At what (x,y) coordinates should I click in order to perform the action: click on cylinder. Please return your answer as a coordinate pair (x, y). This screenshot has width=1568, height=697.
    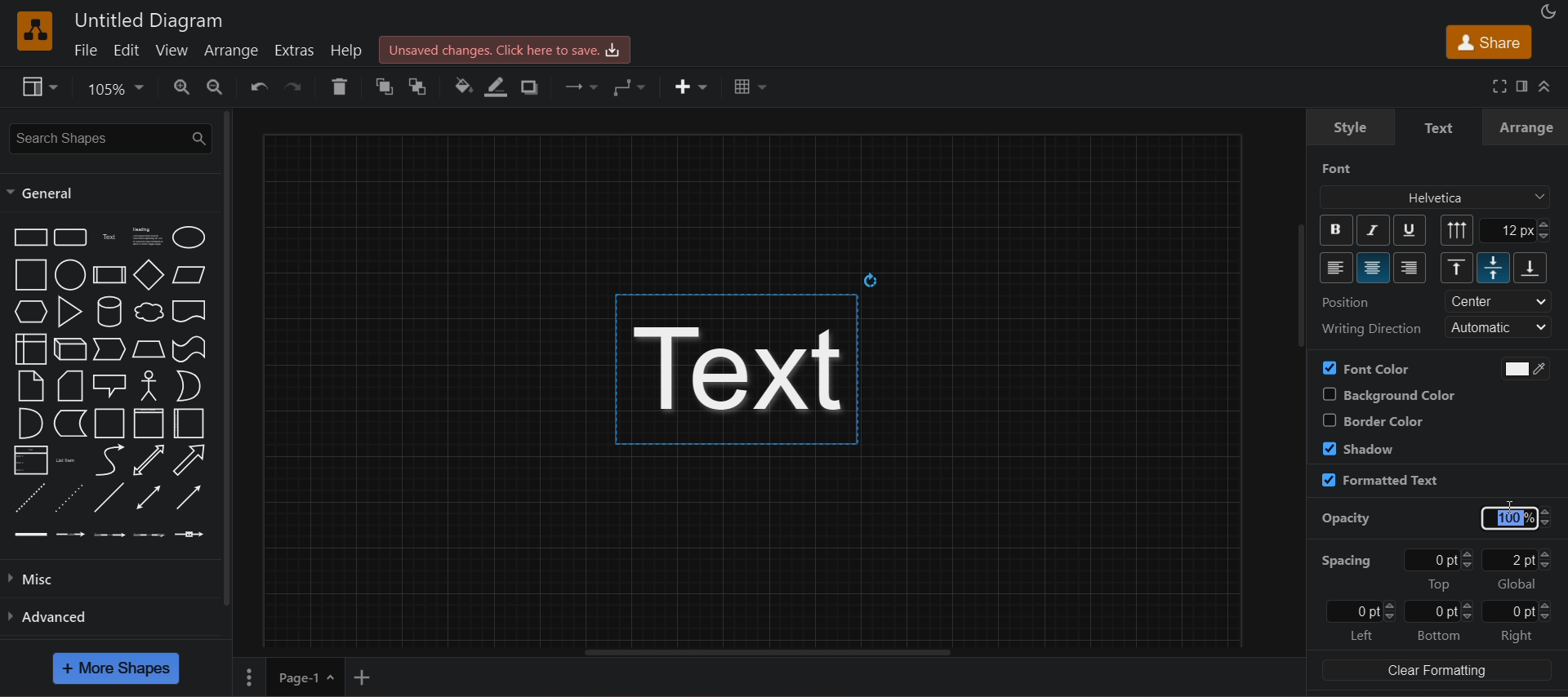
    Looking at the image, I should click on (110, 312).